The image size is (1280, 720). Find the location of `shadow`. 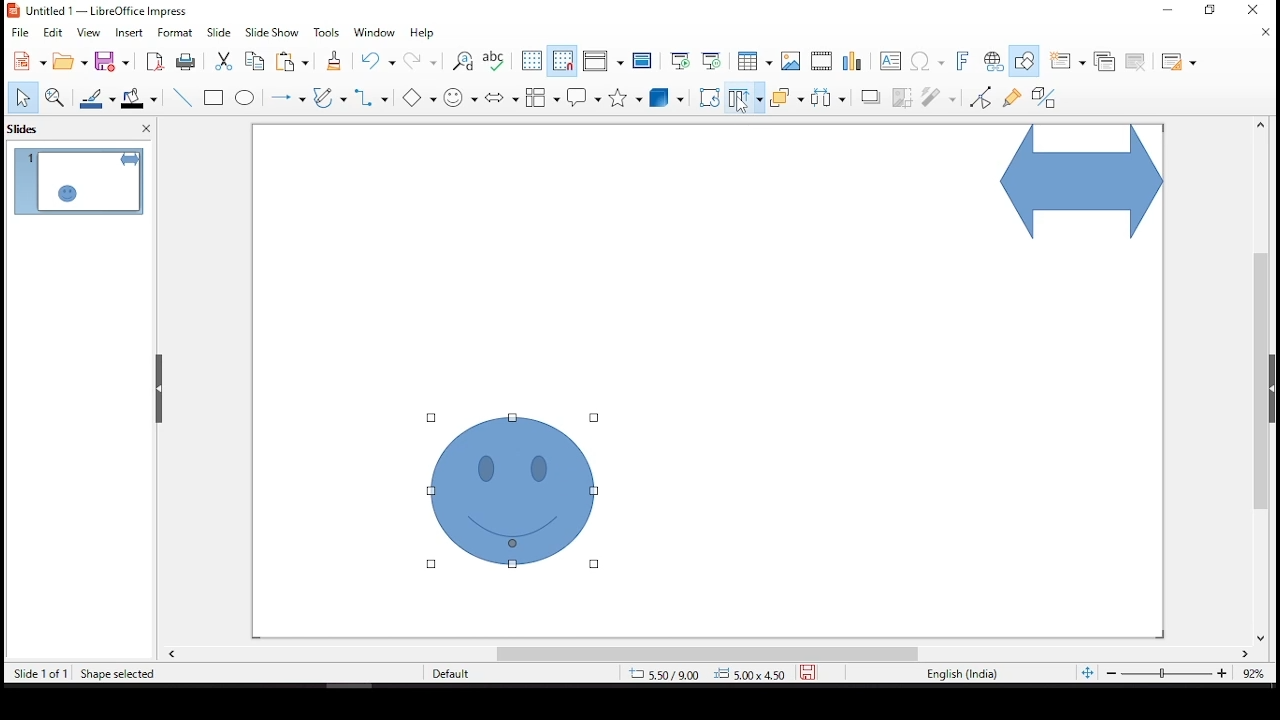

shadow is located at coordinates (871, 96).